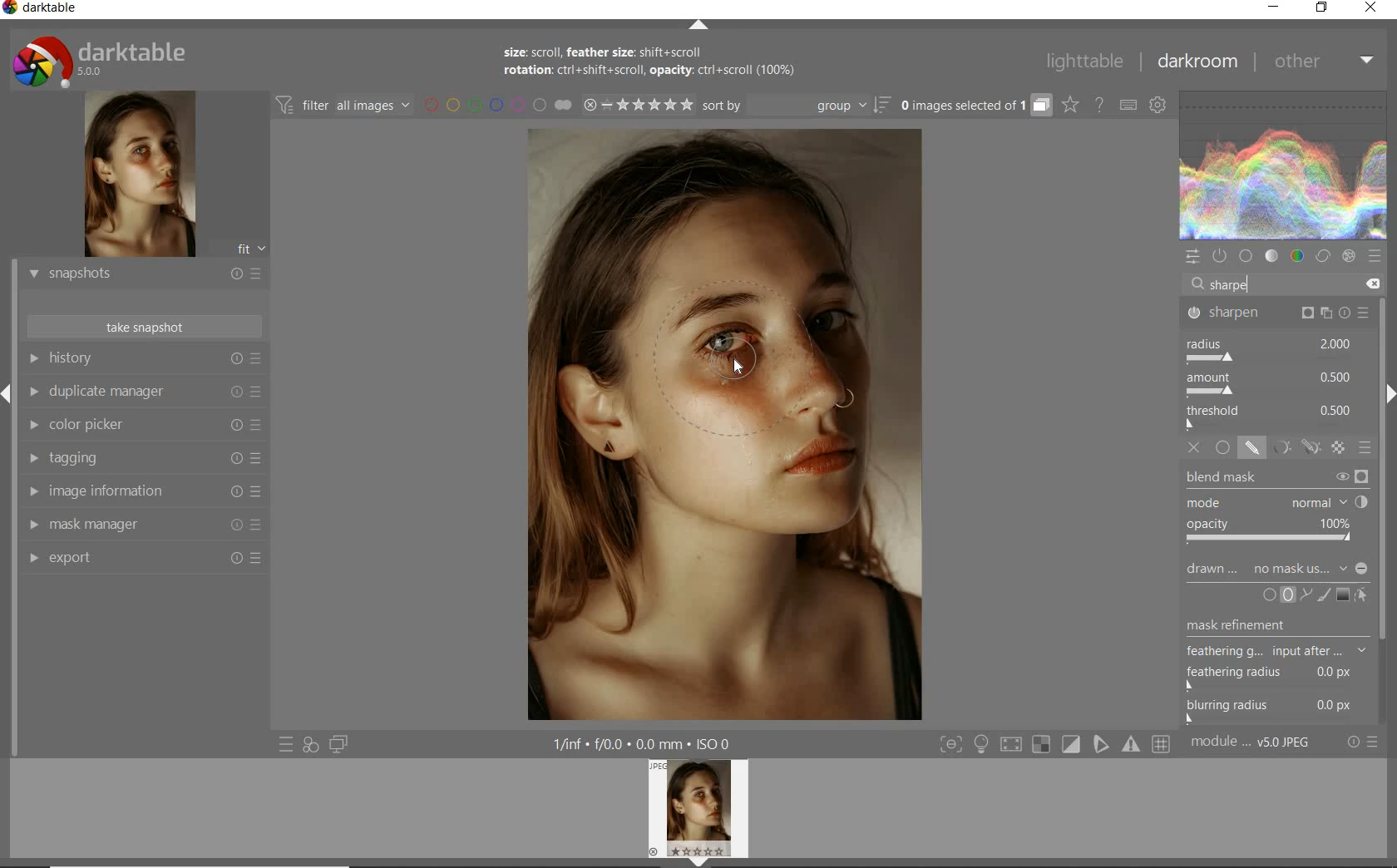 This screenshot has height=868, width=1397. What do you see at coordinates (1055, 744) in the screenshot?
I see `toggle modes` at bounding box center [1055, 744].